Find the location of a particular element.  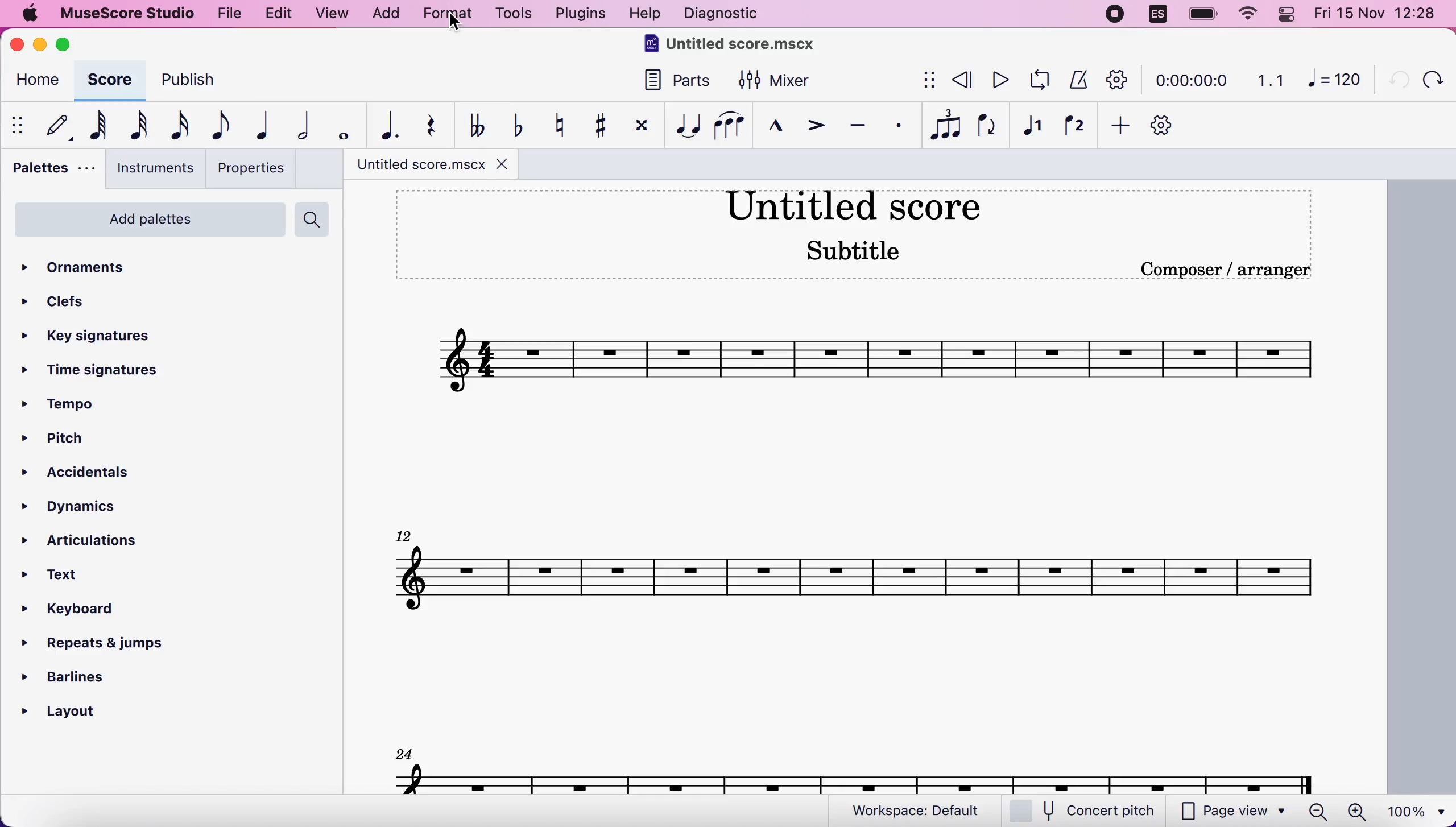

key signature is located at coordinates (99, 337).